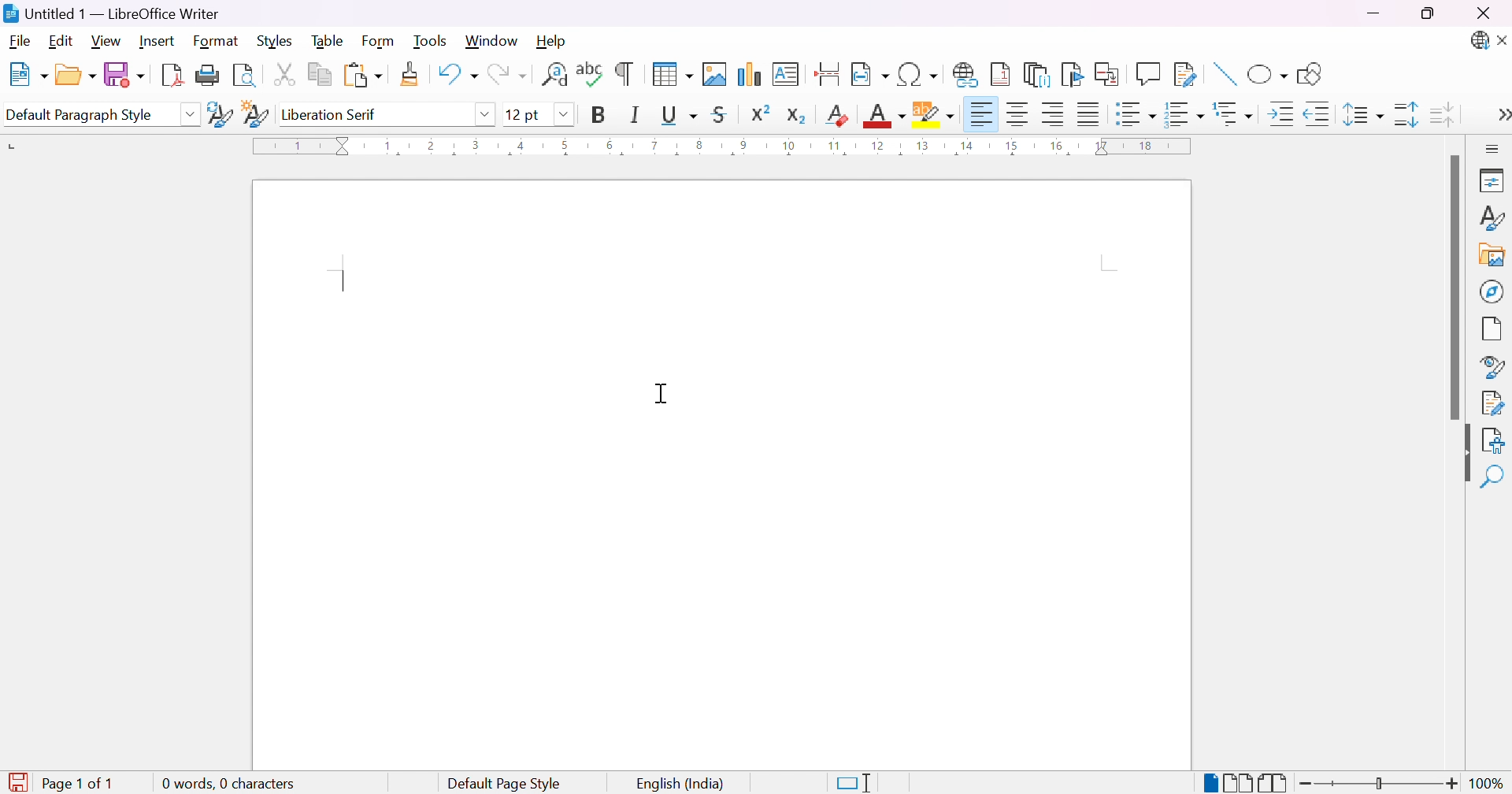 The height and width of the screenshot is (794, 1512). Describe the element at coordinates (456, 78) in the screenshot. I see `Undo` at that location.